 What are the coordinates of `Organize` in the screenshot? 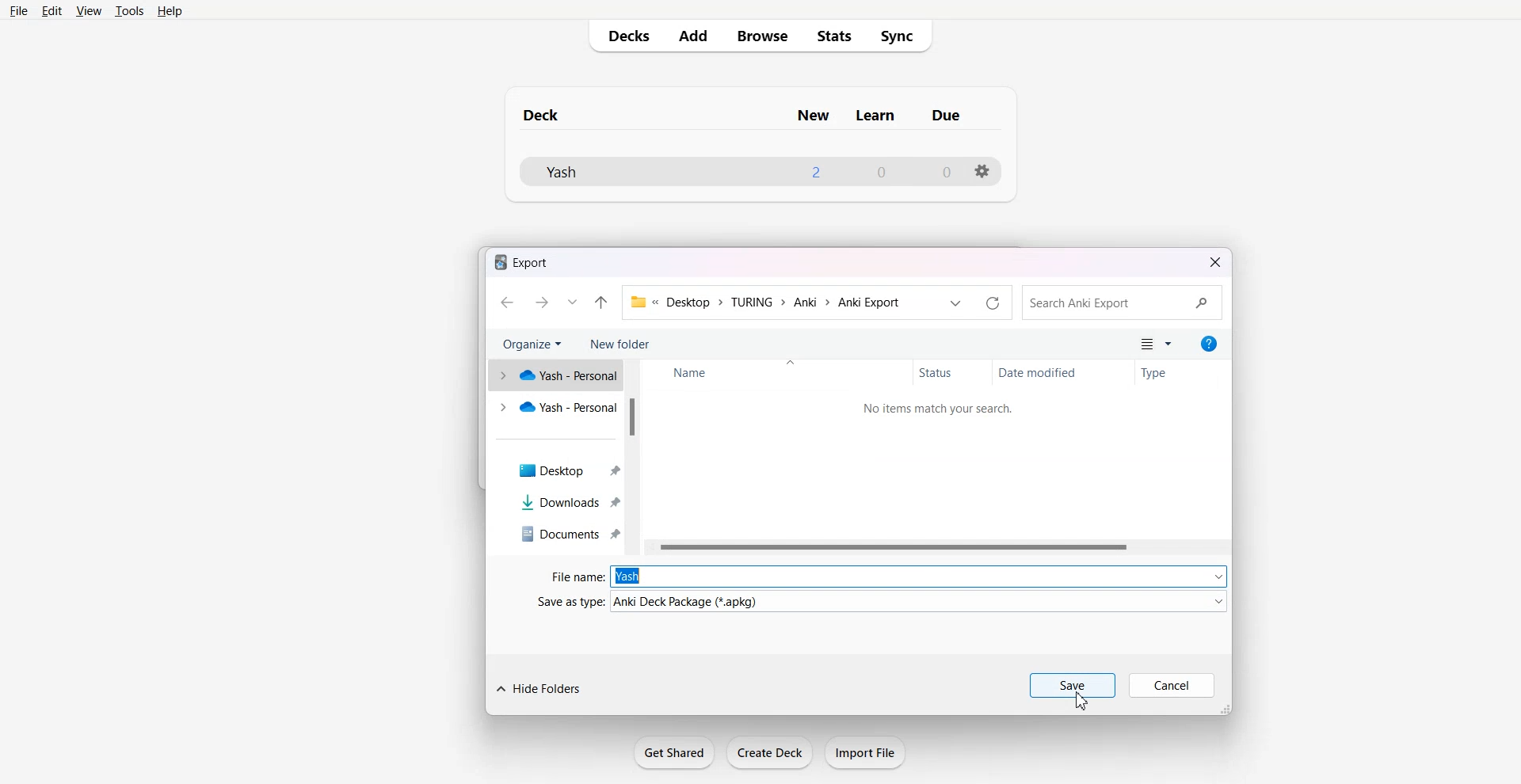 It's located at (533, 344).